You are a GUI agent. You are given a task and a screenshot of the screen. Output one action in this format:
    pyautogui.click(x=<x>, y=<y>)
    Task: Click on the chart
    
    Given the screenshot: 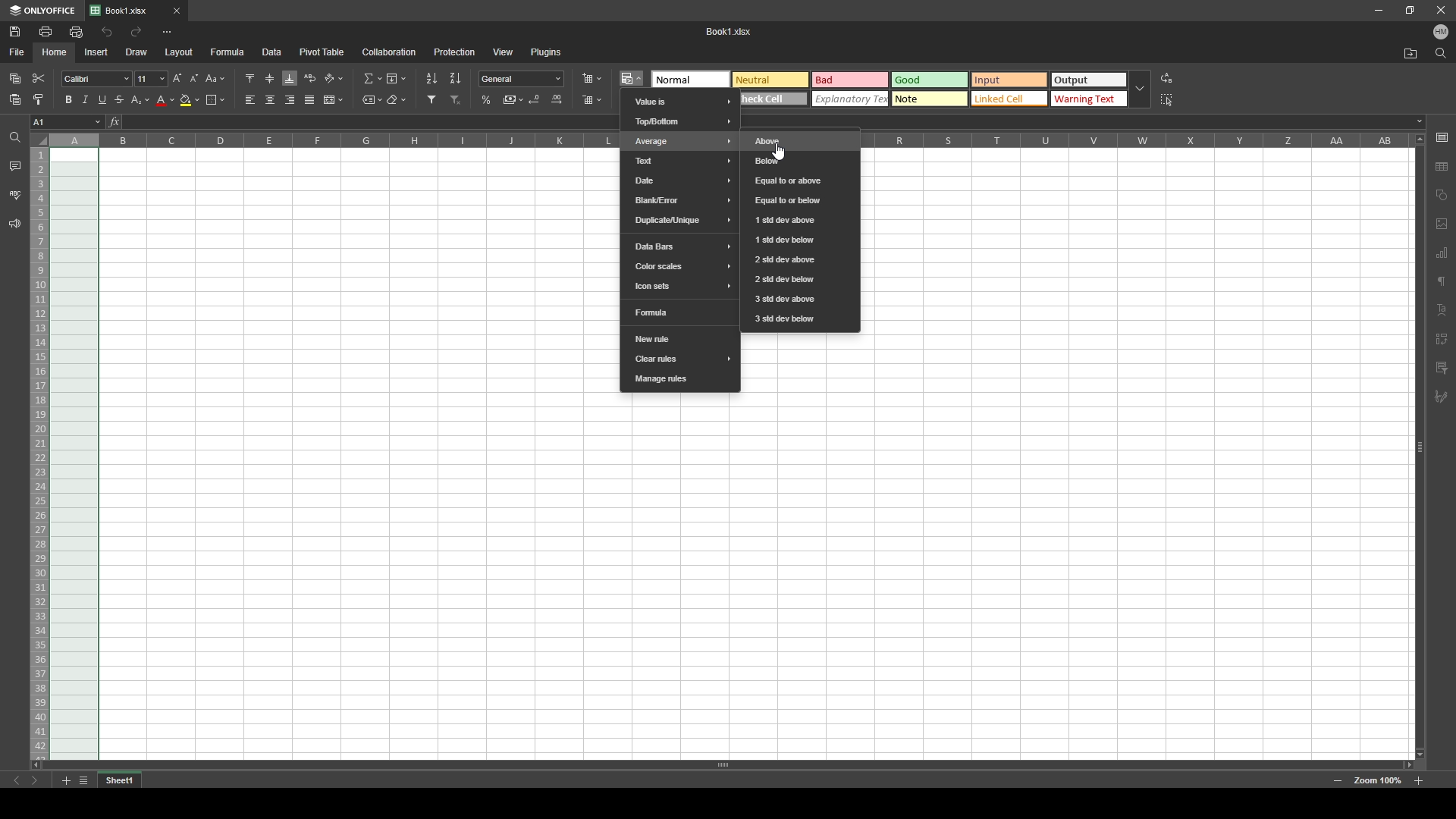 What is the action you would take?
    pyautogui.click(x=1442, y=252)
    